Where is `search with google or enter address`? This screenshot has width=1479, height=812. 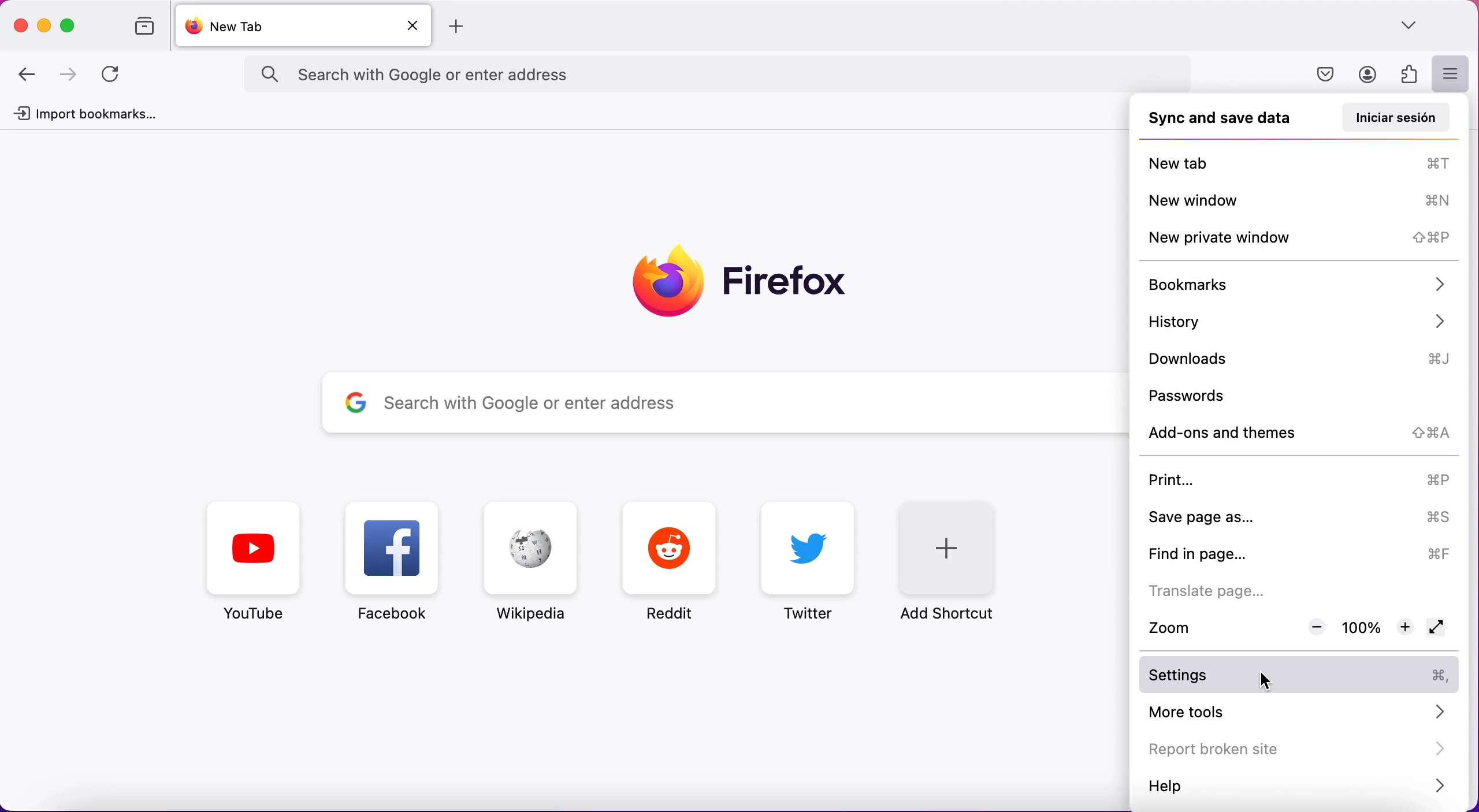 search with google or enter address is located at coordinates (742, 75).